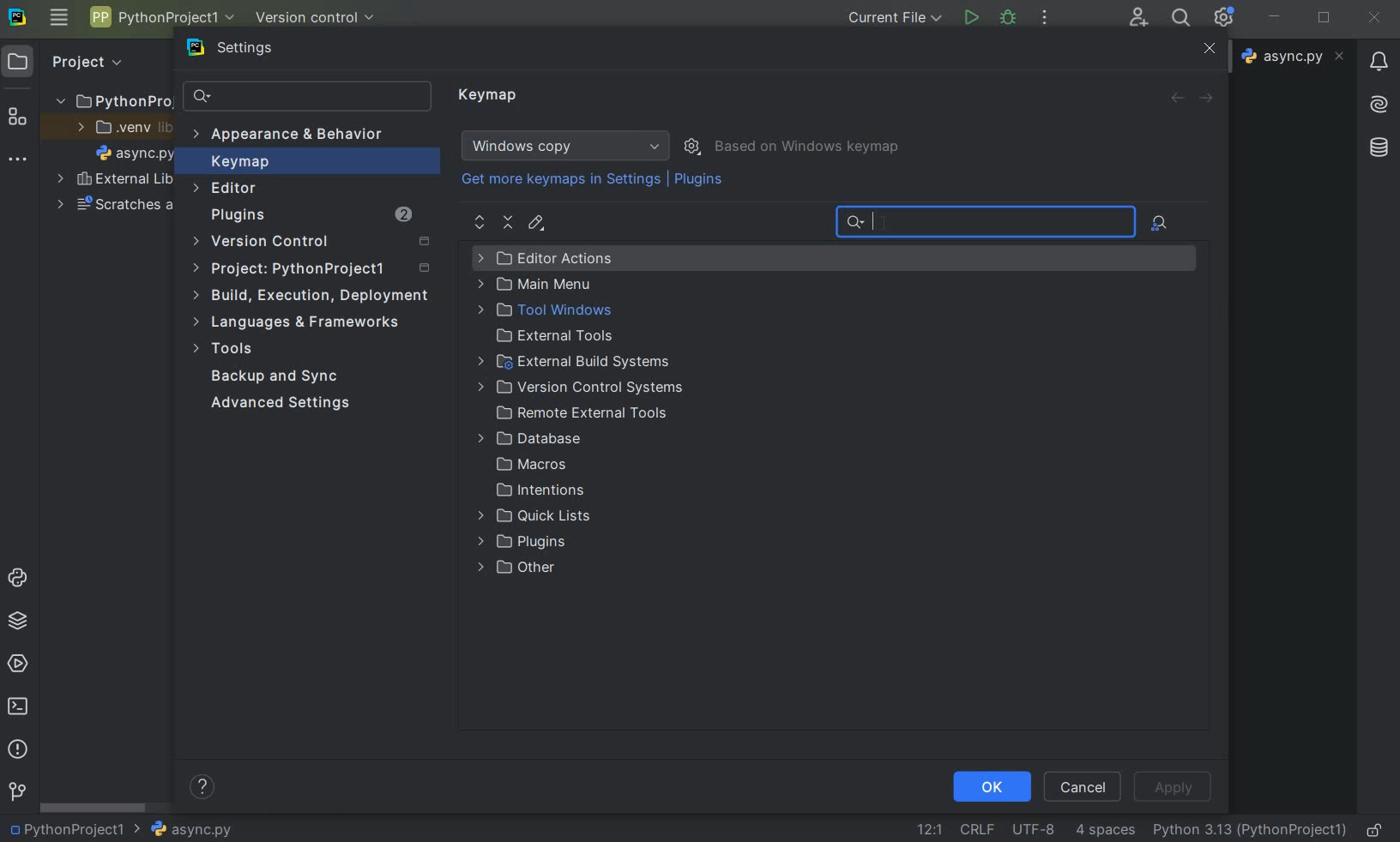  I want to click on plugins, so click(310, 217).